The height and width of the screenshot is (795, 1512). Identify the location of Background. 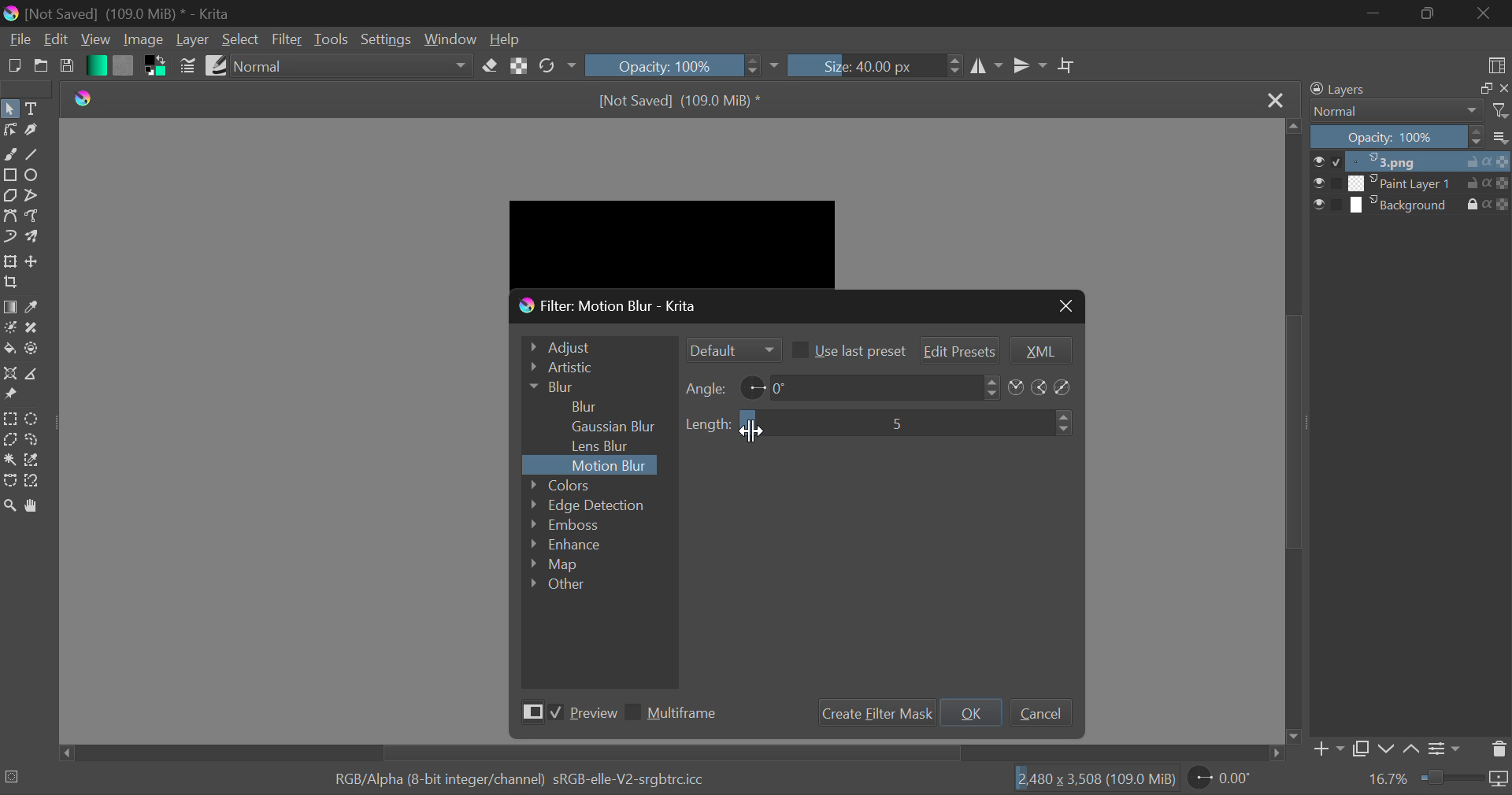
(1411, 205).